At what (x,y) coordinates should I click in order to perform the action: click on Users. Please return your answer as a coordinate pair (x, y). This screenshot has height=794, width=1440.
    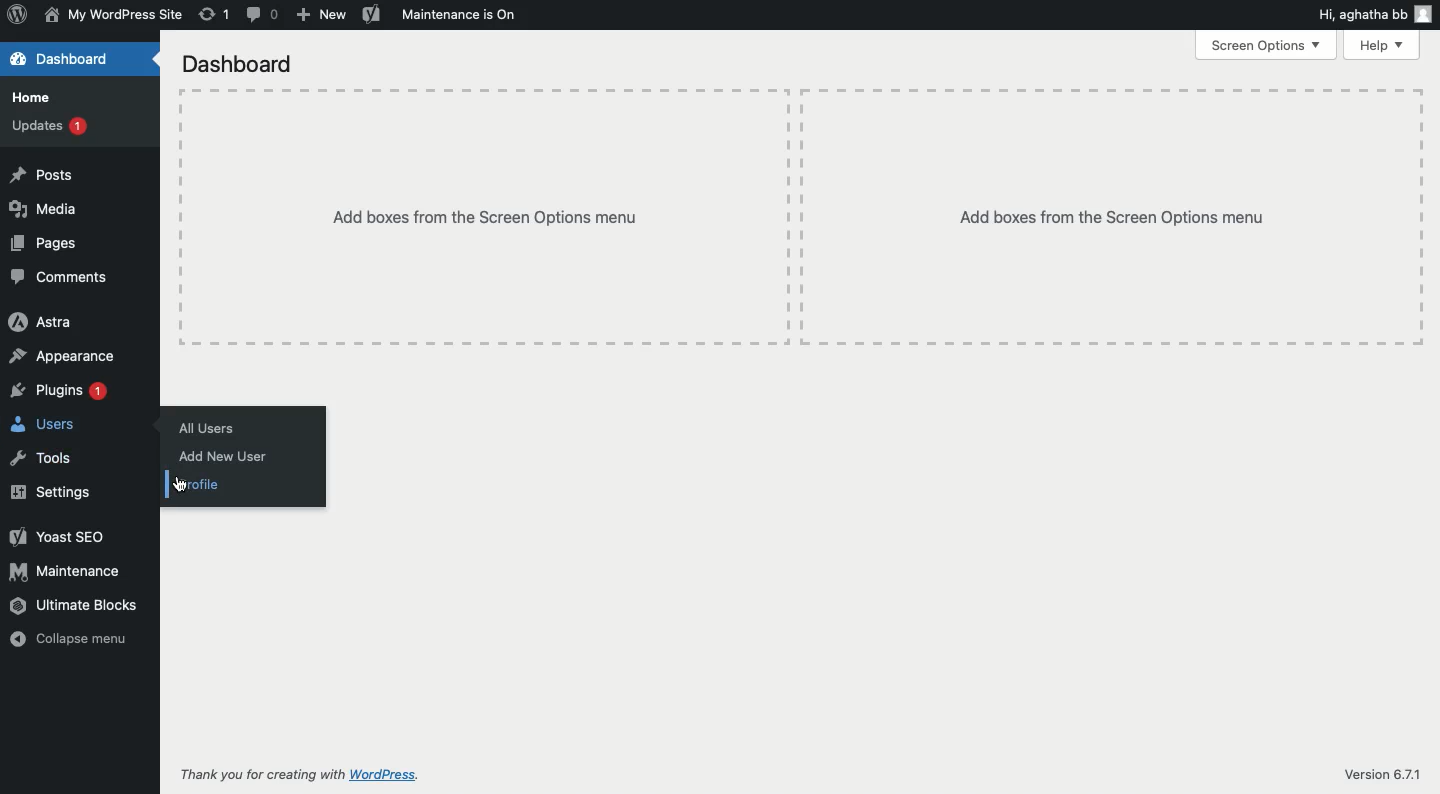
    Looking at the image, I should click on (47, 426).